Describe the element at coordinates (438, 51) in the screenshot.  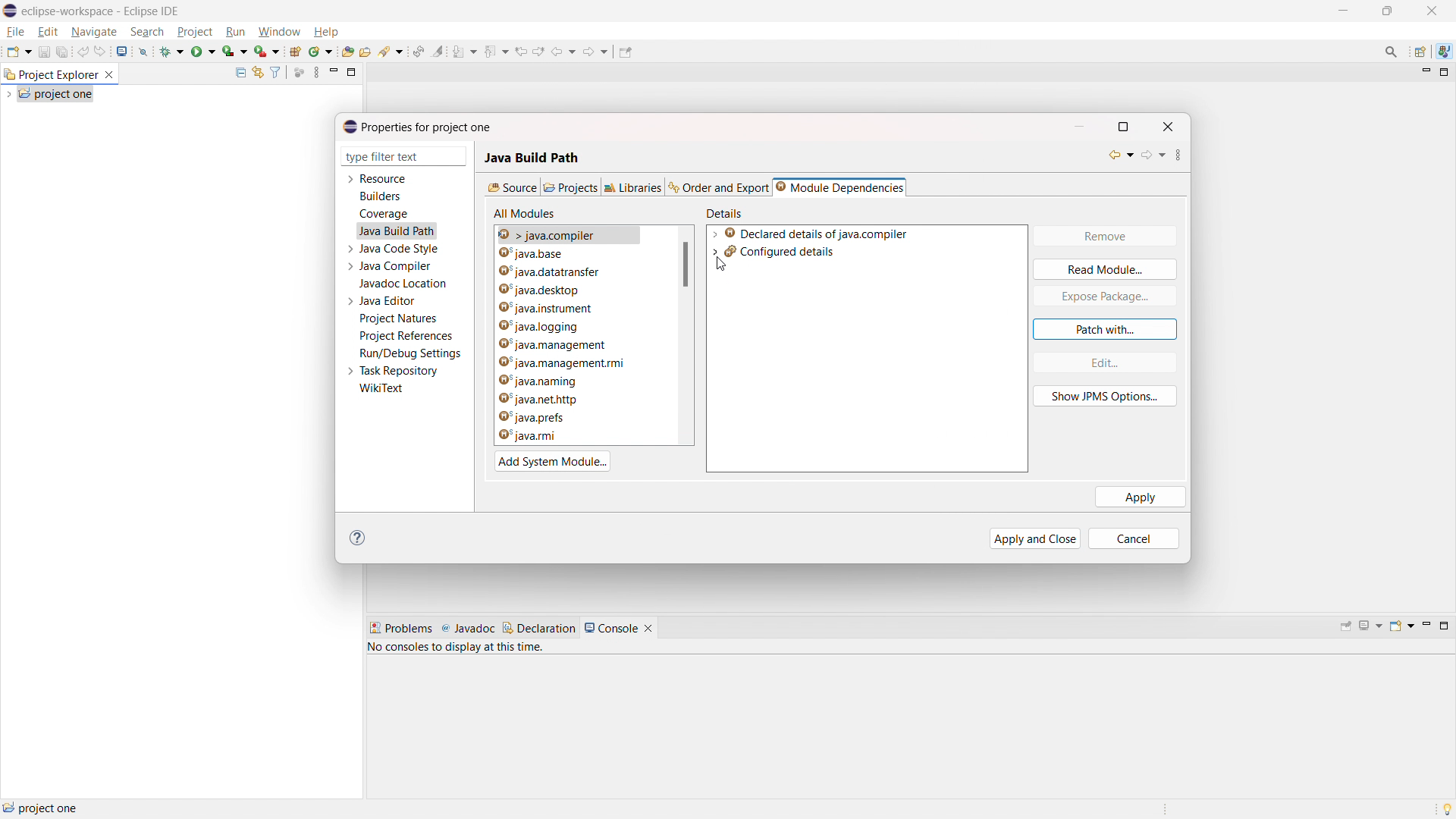
I see `toggle ant mark occurances` at that location.